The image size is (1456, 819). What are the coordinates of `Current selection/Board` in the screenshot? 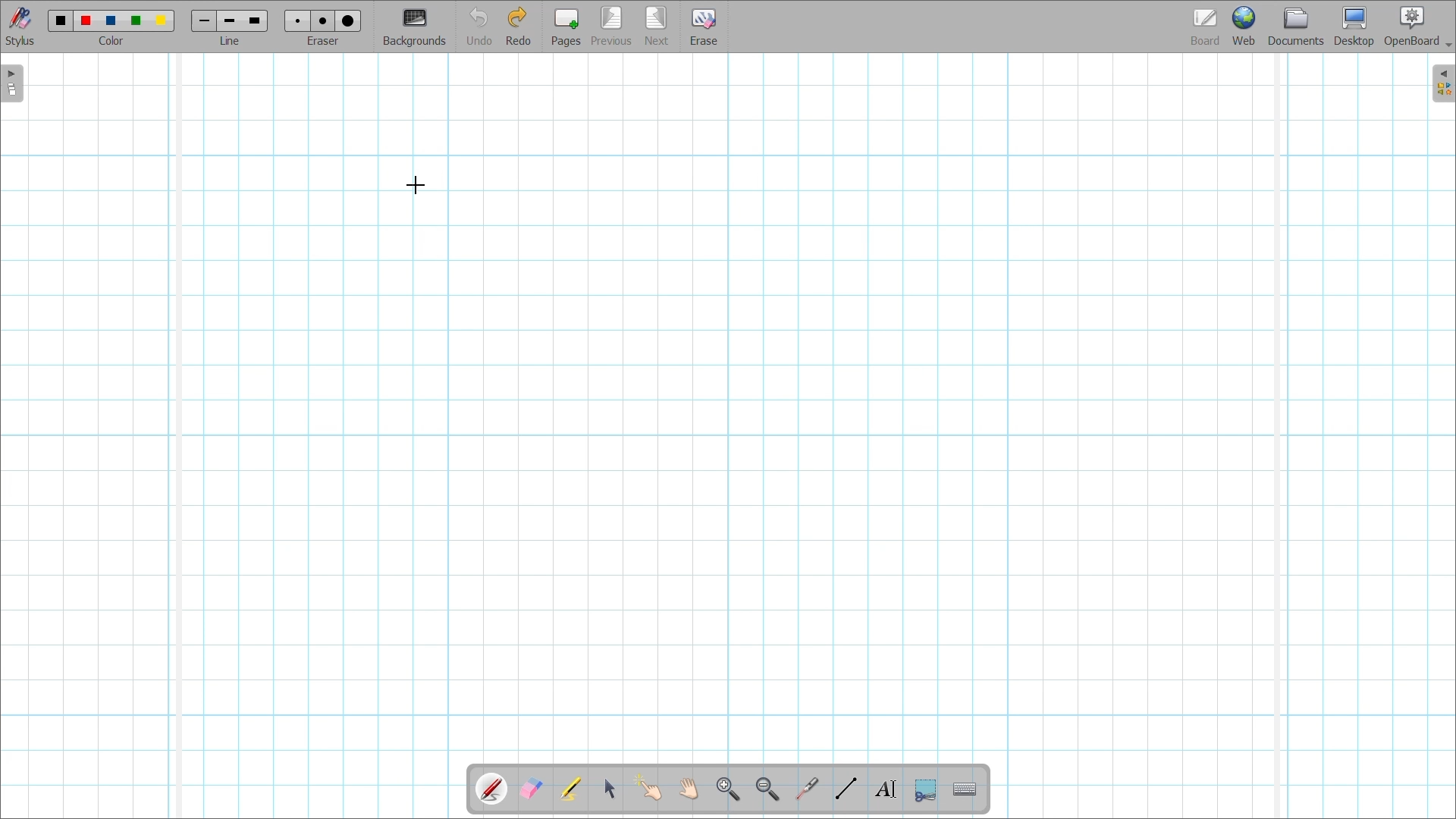 It's located at (1206, 26).